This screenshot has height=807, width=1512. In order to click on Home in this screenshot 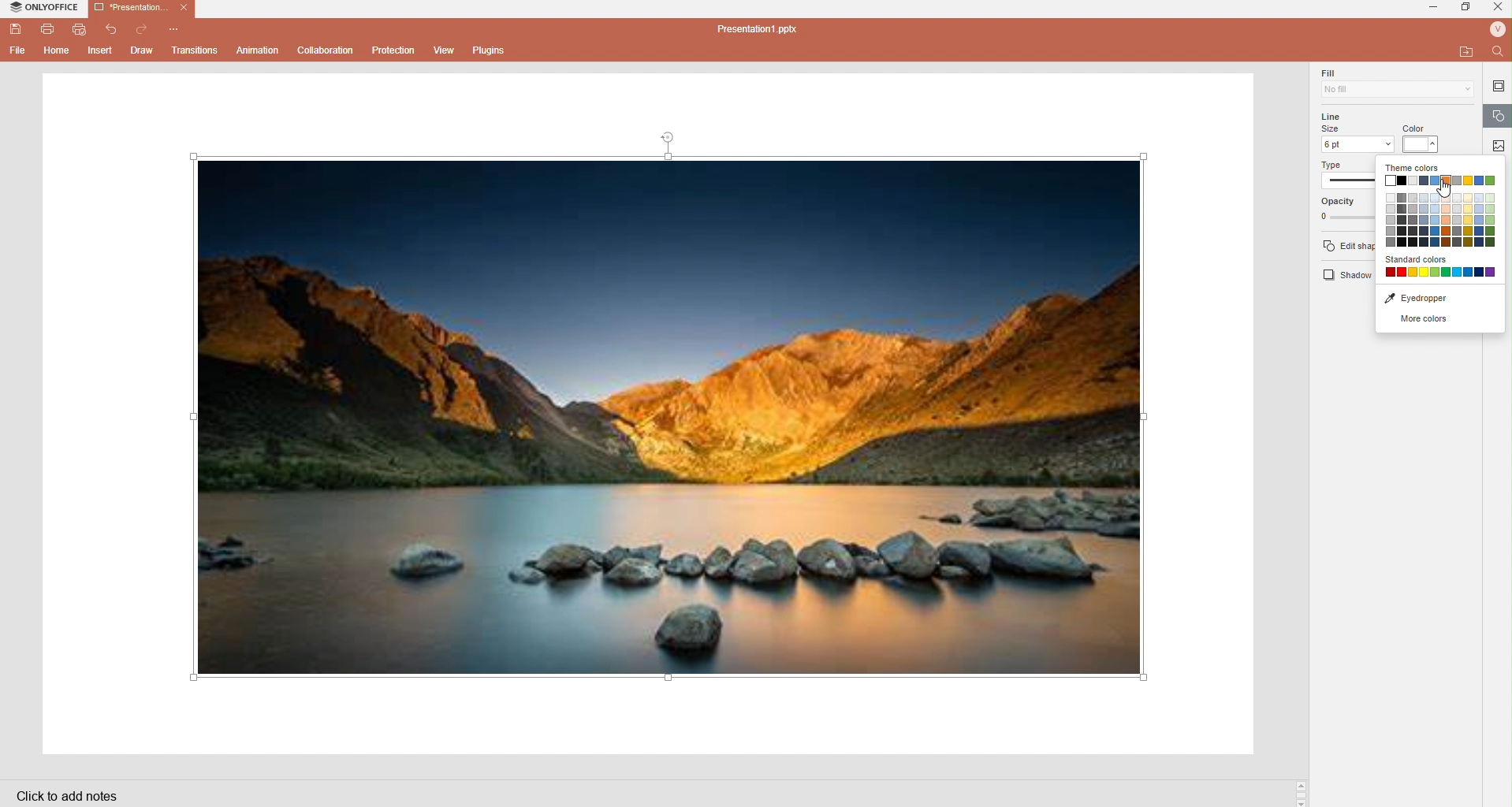, I will do `click(58, 53)`.